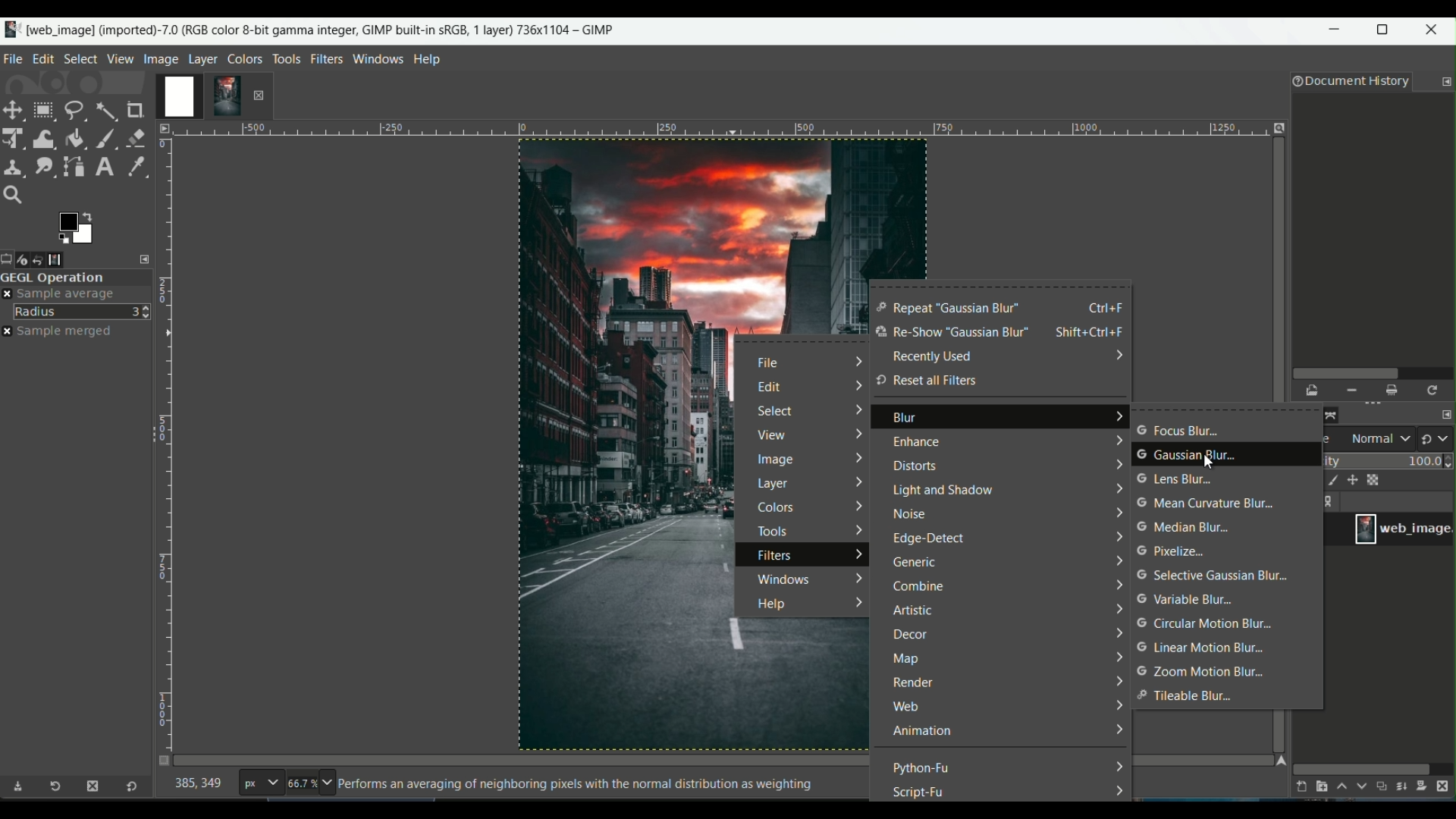  What do you see at coordinates (1362, 767) in the screenshot?
I see `scroll bar` at bounding box center [1362, 767].